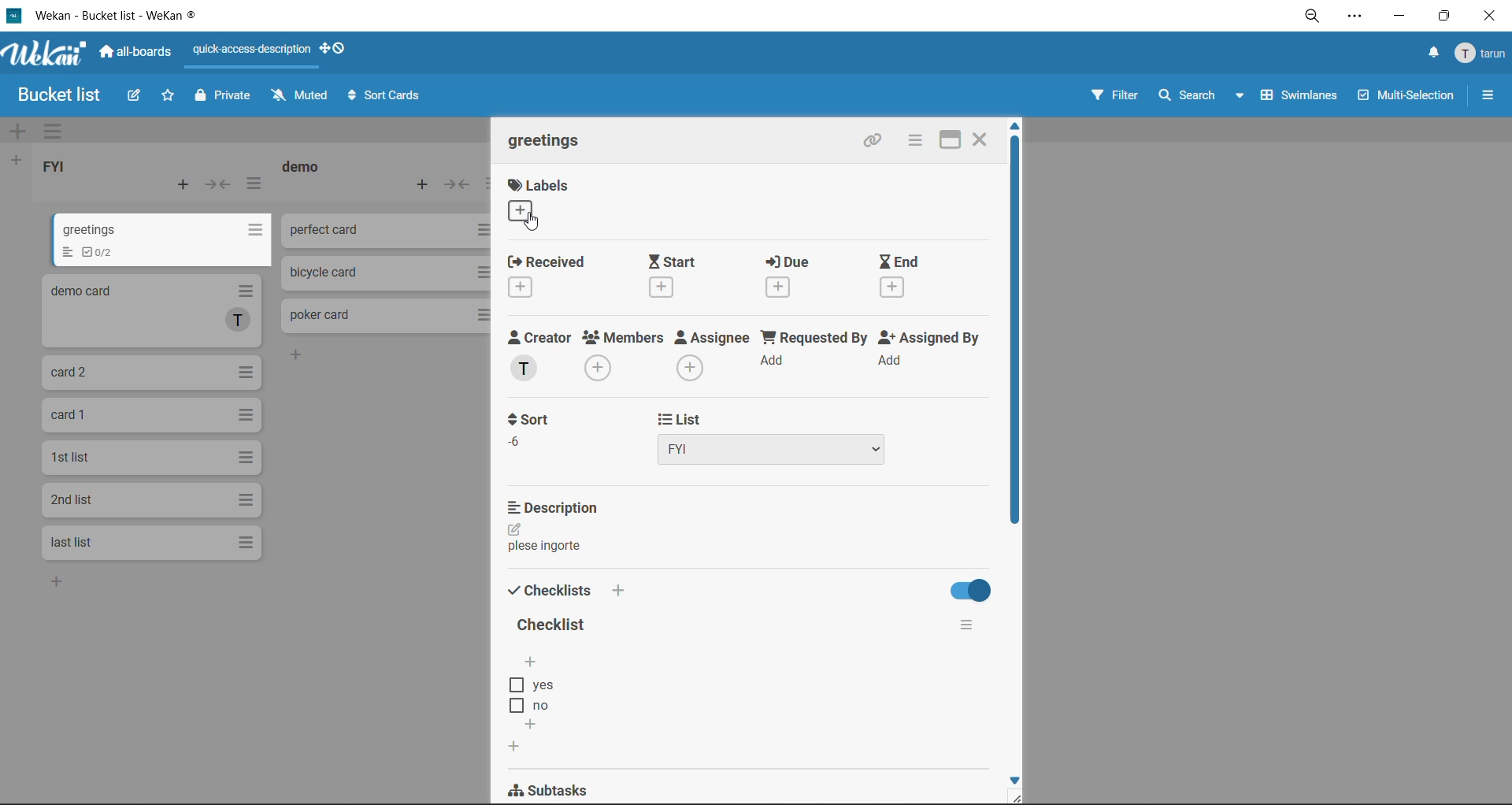  Describe the element at coordinates (537, 223) in the screenshot. I see `cursor` at that location.